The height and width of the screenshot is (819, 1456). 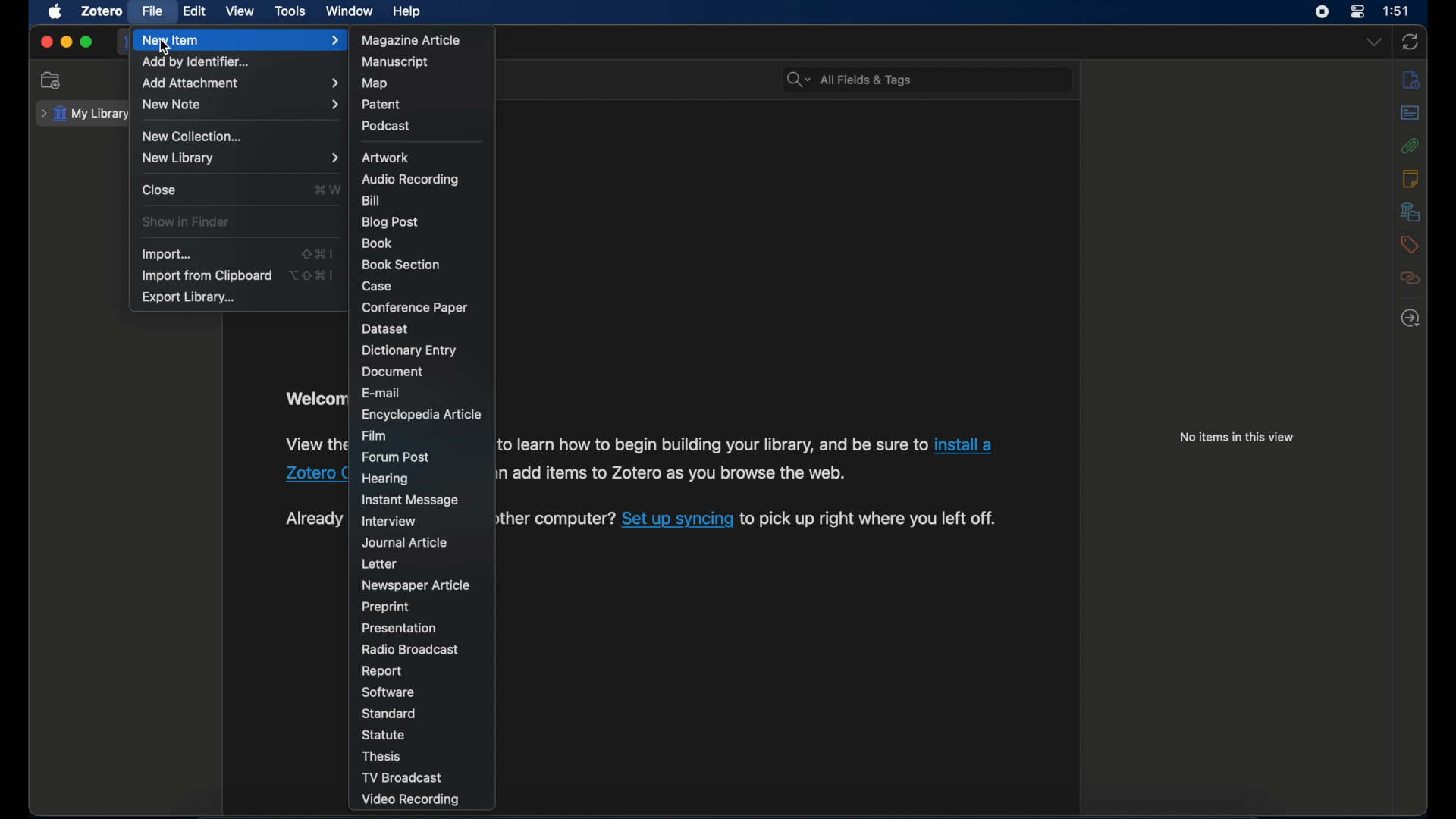 I want to click on software, so click(x=388, y=692).